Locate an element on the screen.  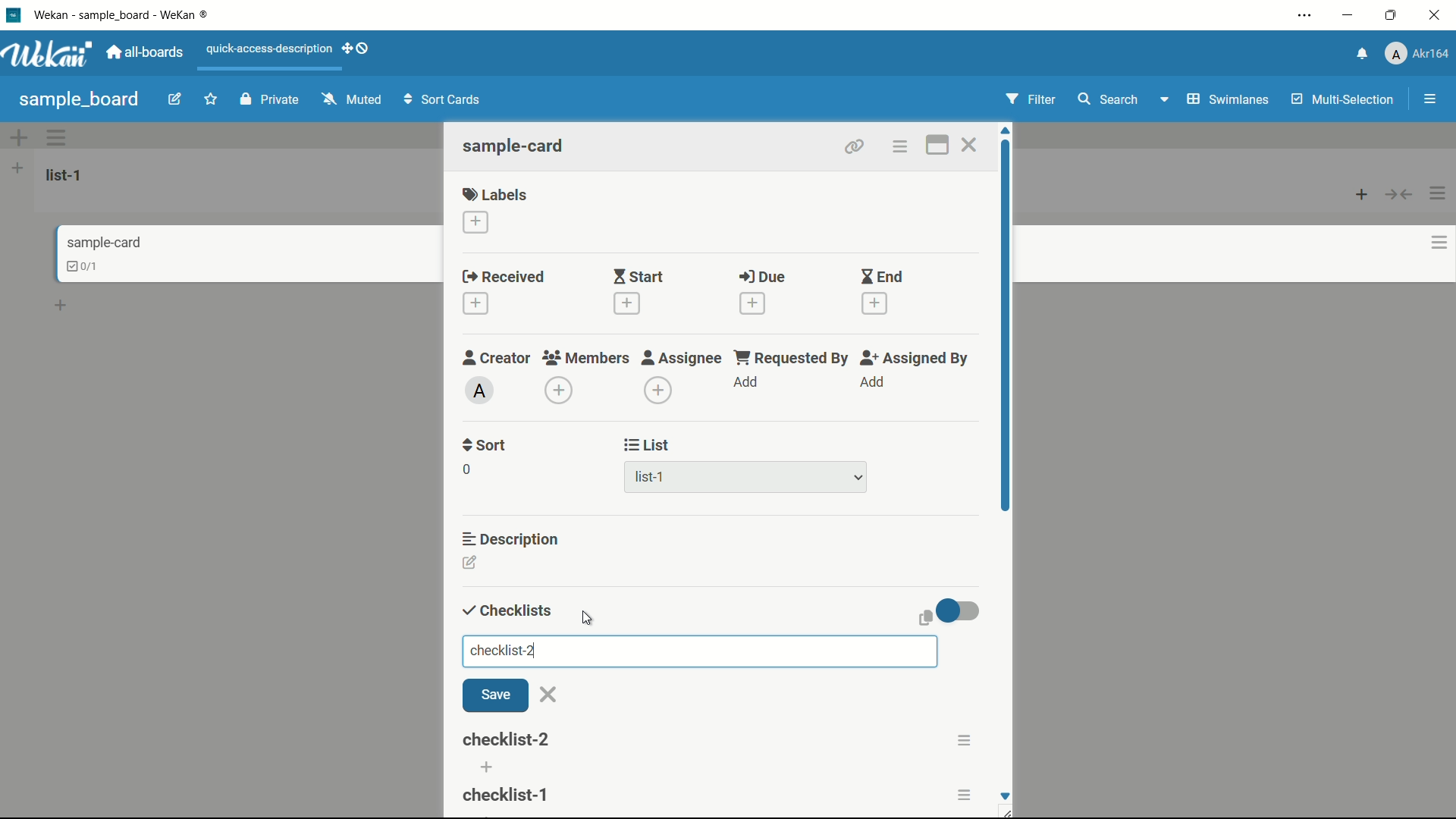
item name input bar is located at coordinates (699, 651).